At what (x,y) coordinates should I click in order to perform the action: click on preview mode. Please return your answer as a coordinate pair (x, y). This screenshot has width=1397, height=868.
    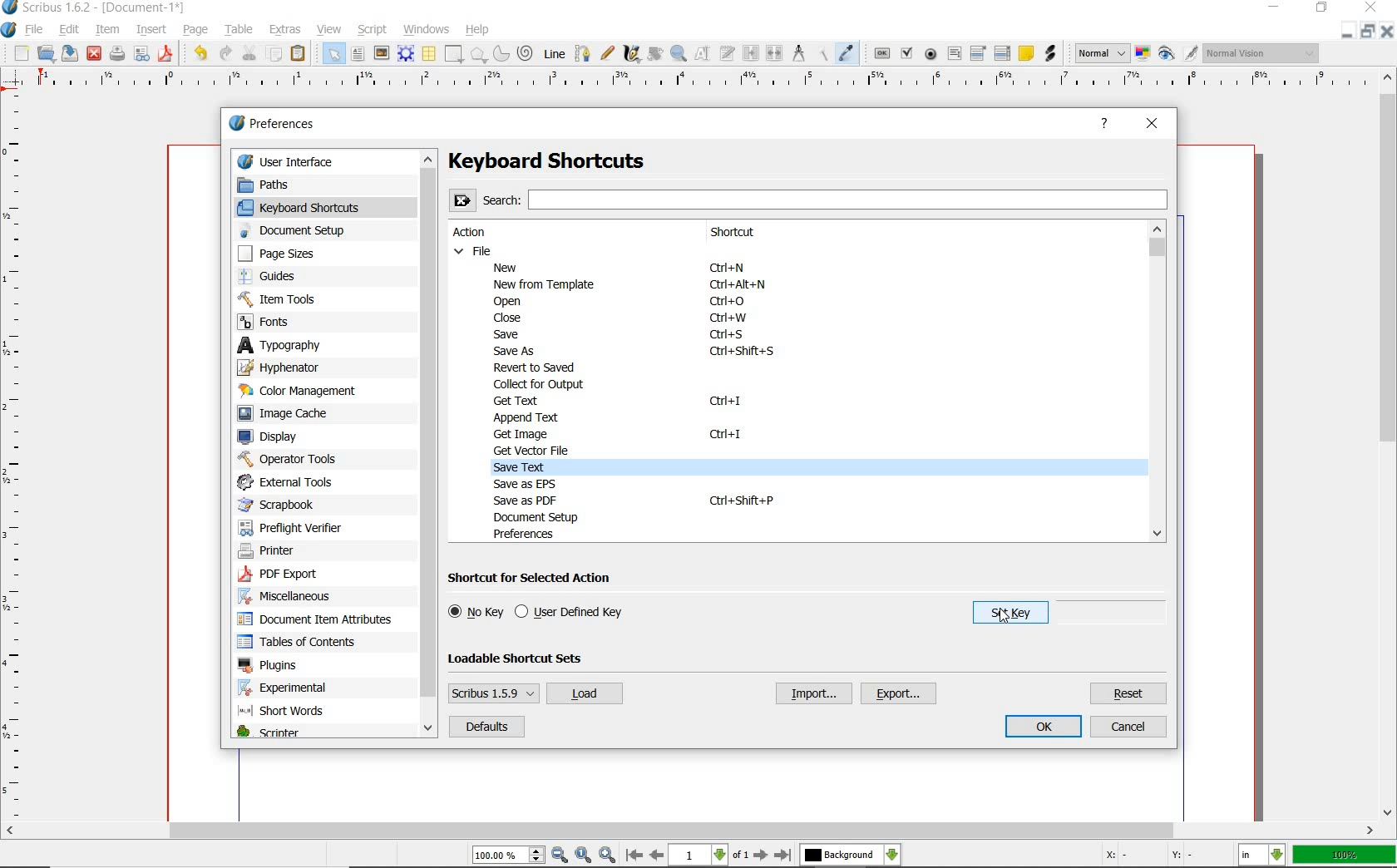
    Looking at the image, I should click on (1177, 53).